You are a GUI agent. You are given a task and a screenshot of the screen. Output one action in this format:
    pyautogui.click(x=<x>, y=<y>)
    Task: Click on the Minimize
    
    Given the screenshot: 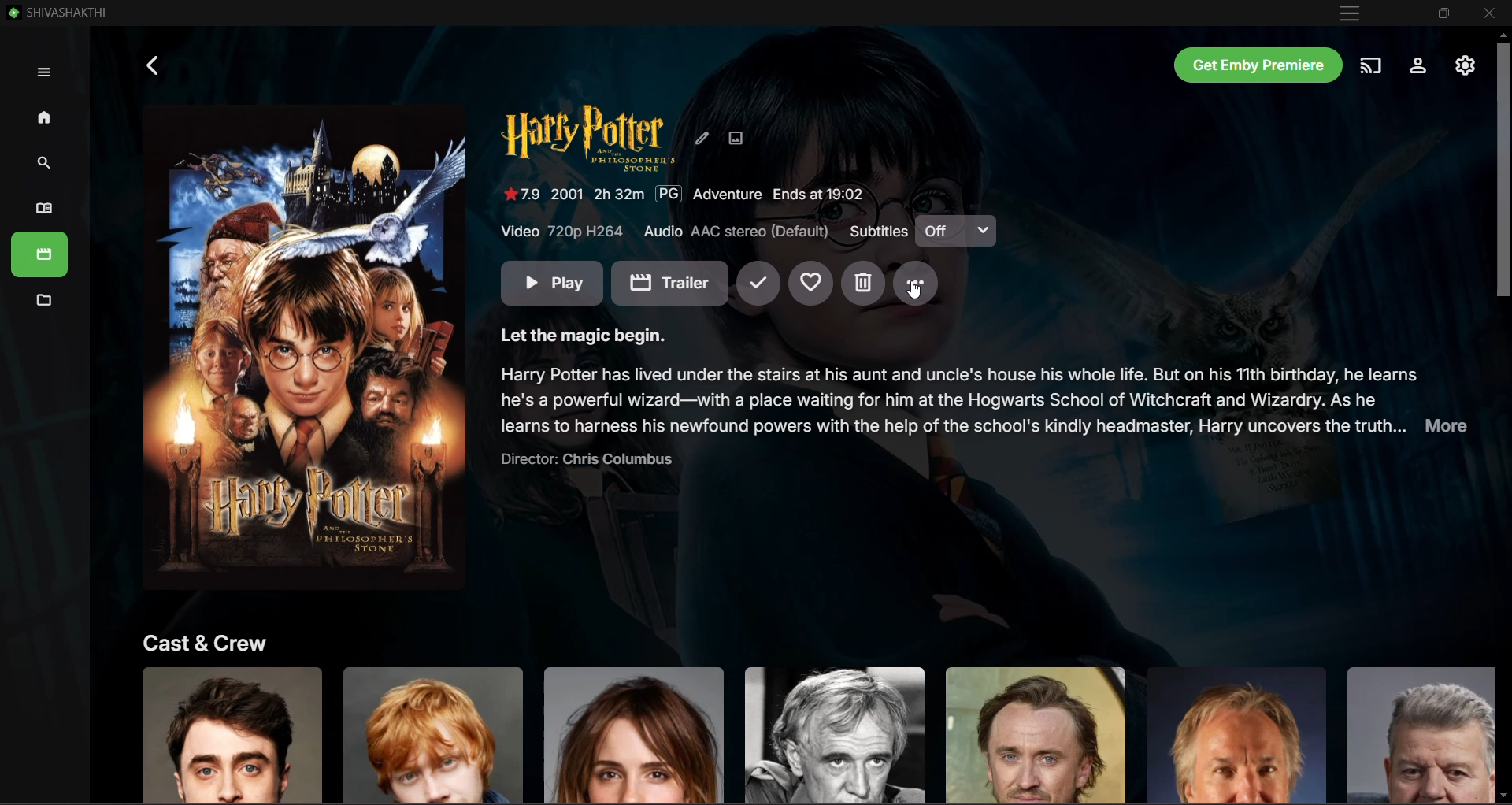 What is the action you would take?
    pyautogui.click(x=1400, y=13)
    